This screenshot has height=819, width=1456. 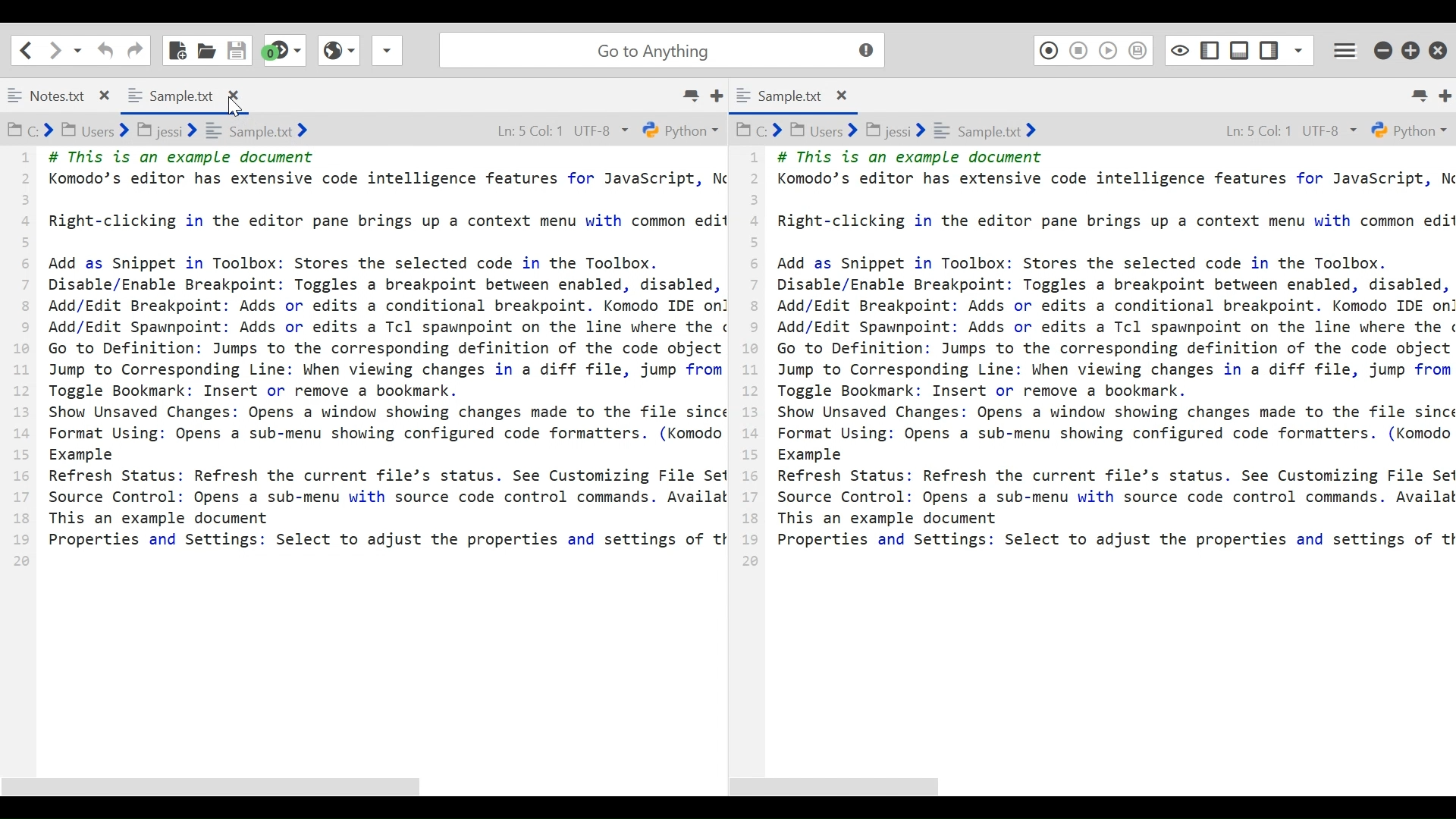 What do you see at coordinates (28, 49) in the screenshot?
I see `Go back one location` at bounding box center [28, 49].